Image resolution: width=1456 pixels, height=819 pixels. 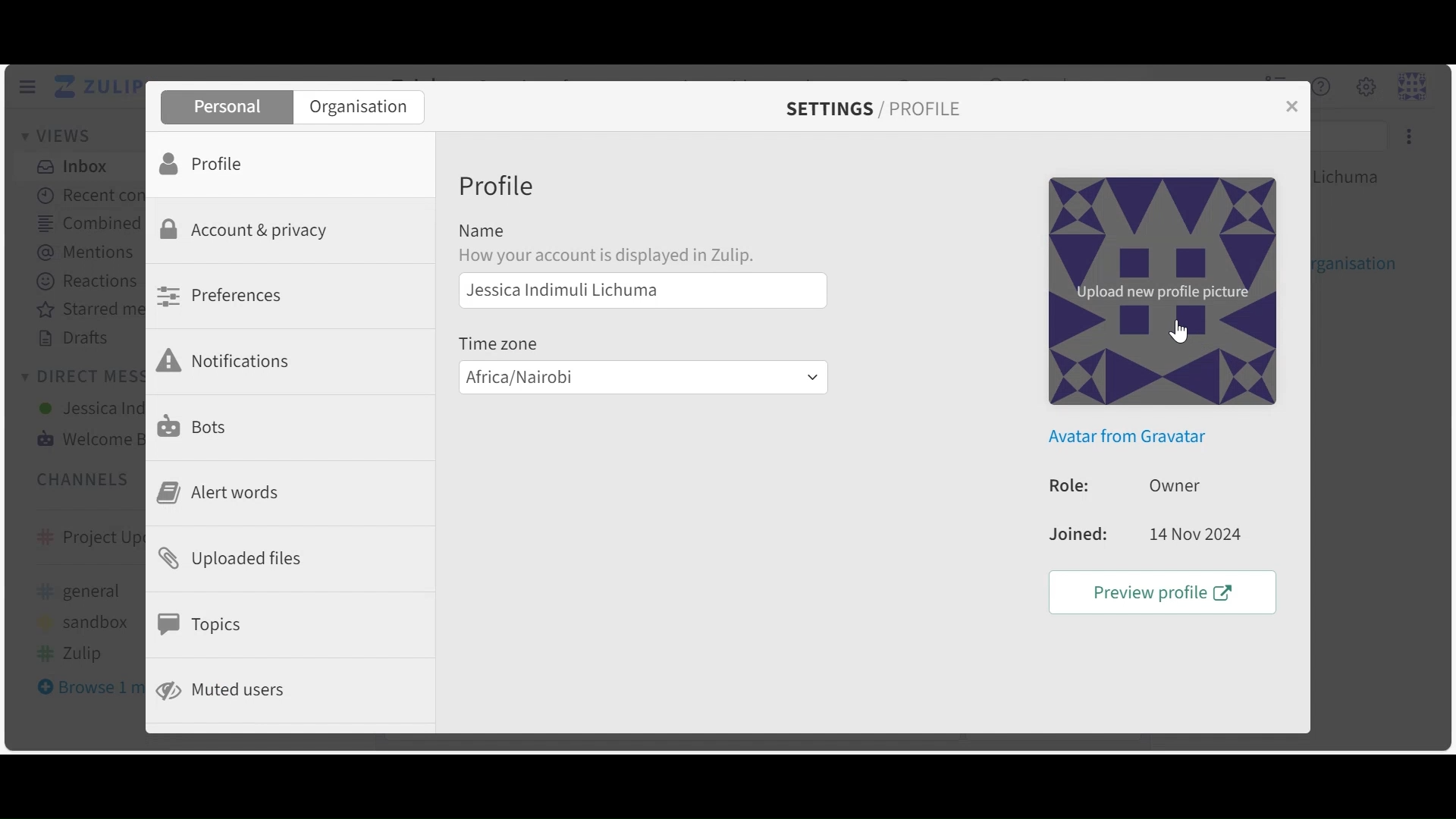 I want to click on Timezone, so click(x=498, y=341).